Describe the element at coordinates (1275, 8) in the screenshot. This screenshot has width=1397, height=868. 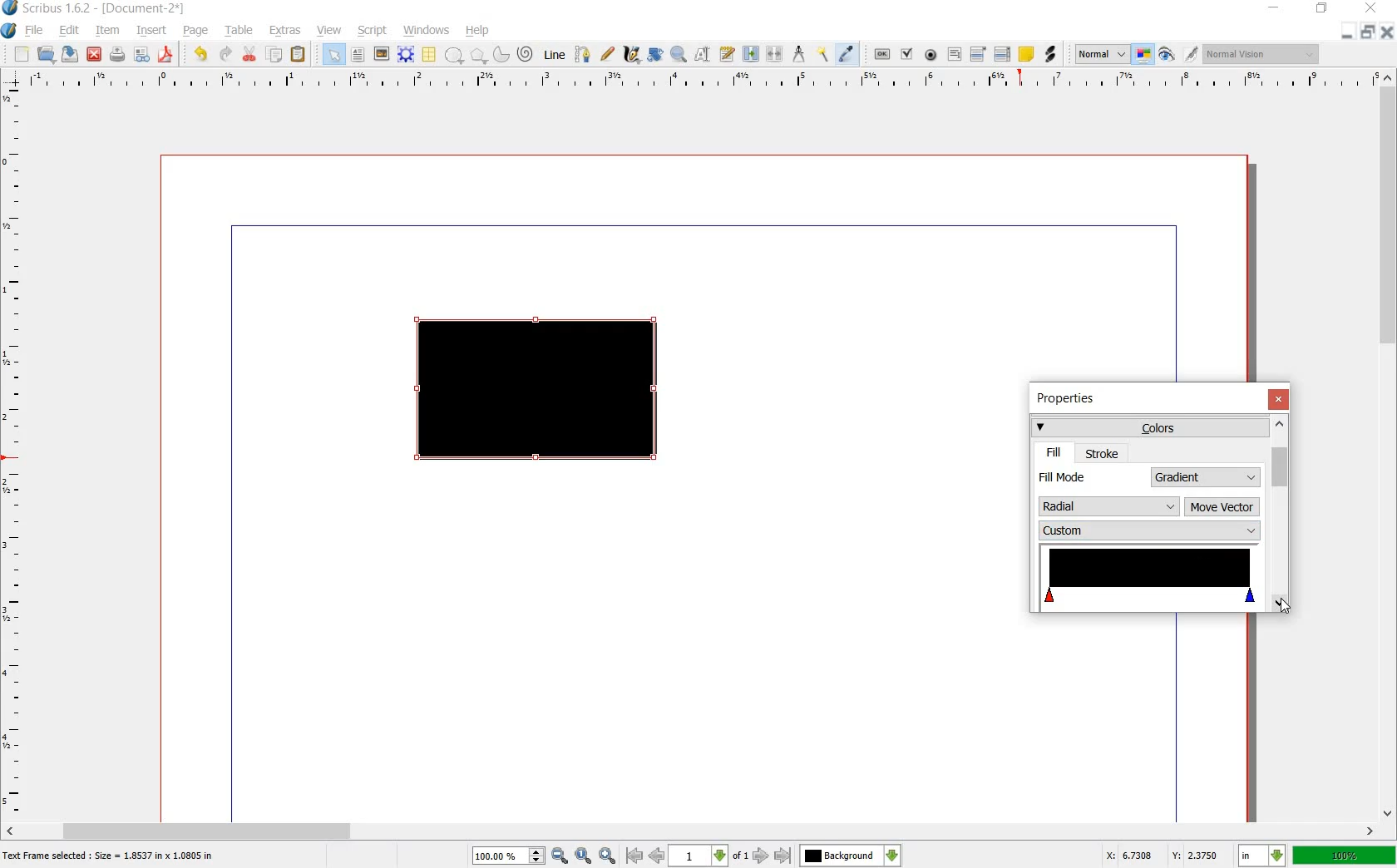
I see `minimize` at that location.